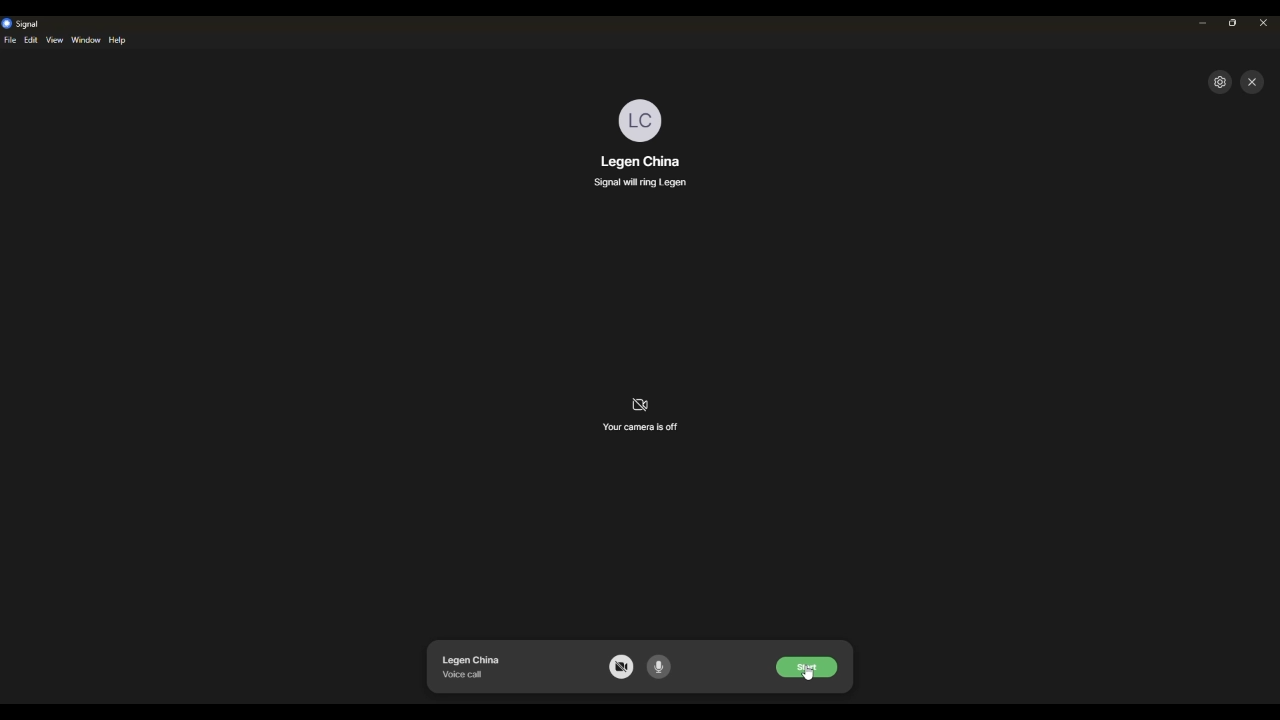 This screenshot has height=720, width=1280. Describe the element at coordinates (643, 418) in the screenshot. I see `camera is off` at that location.